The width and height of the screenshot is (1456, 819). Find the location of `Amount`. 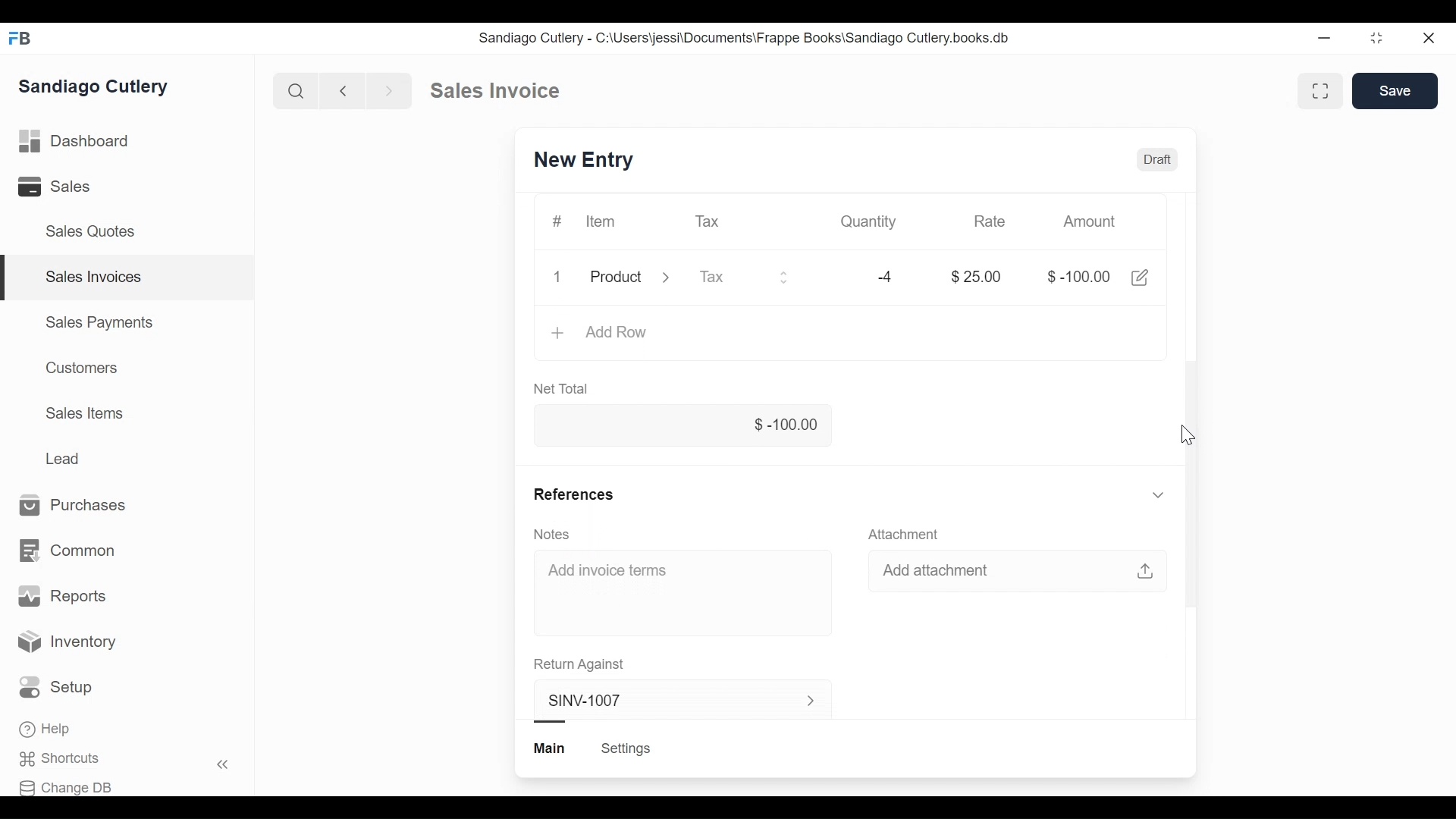

Amount is located at coordinates (1089, 221).